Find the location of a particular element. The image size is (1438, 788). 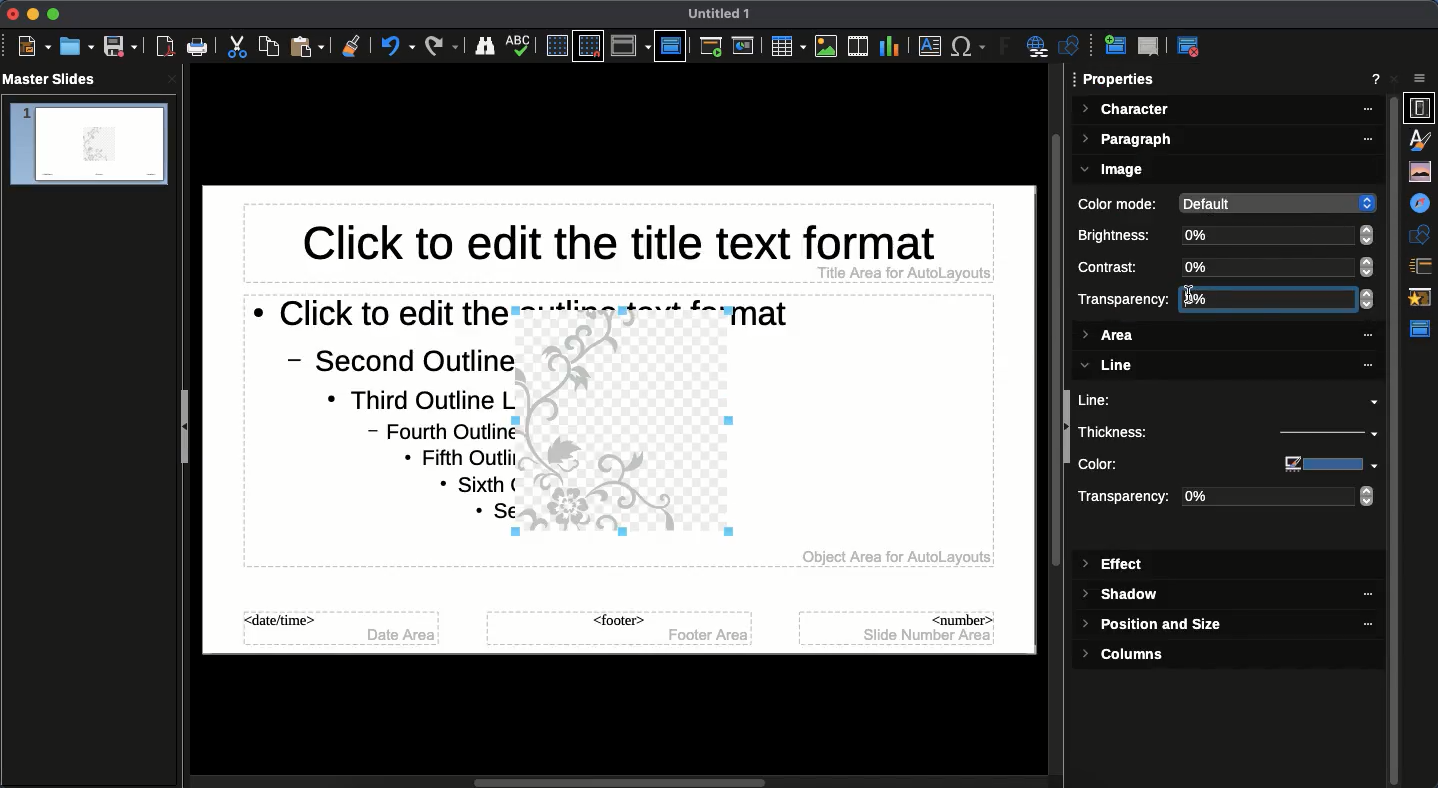

color input is located at coordinates (1322, 464).